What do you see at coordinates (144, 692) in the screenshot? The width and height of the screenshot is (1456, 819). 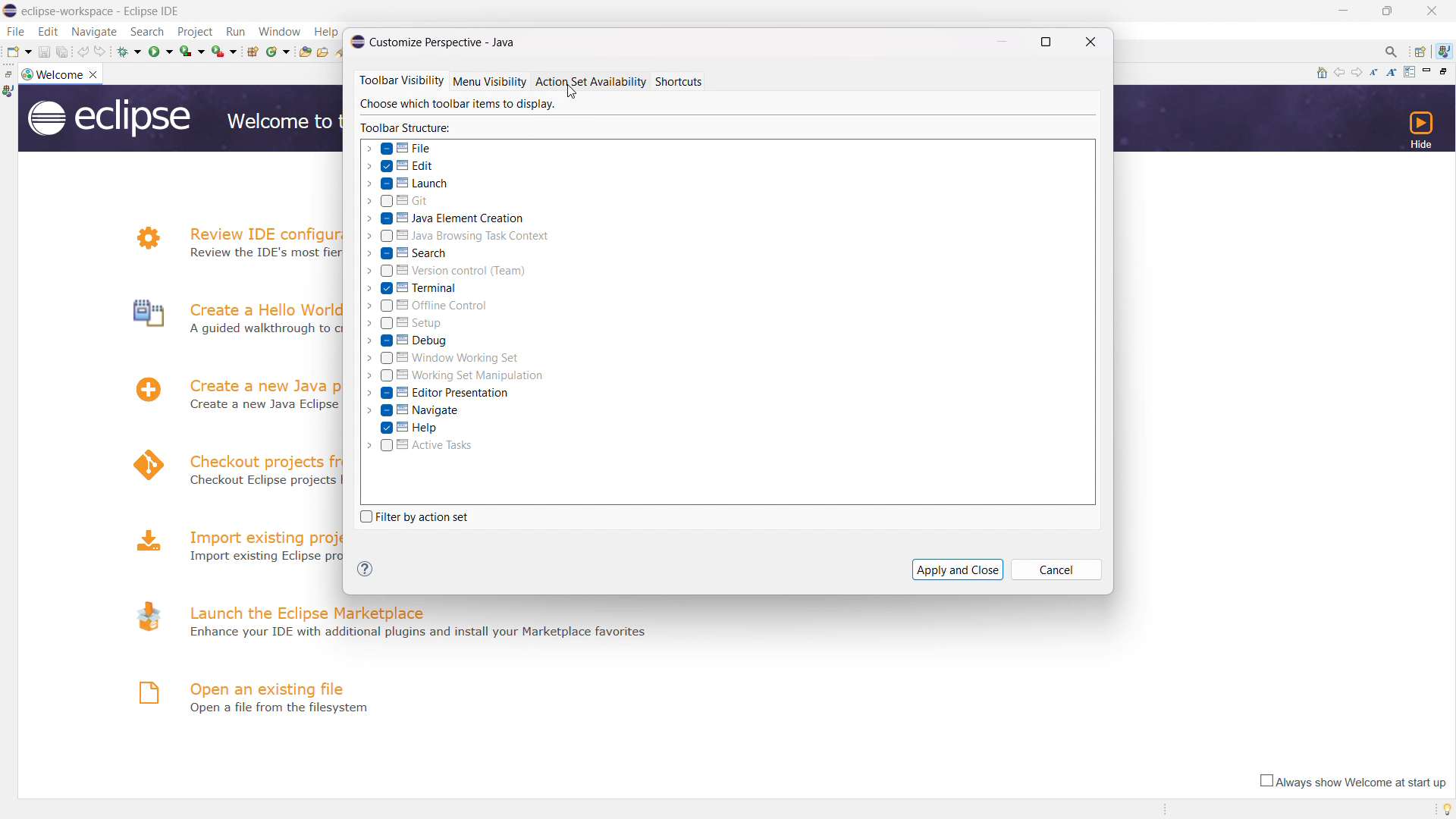 I see `logo` at bounding box center [144, 692].